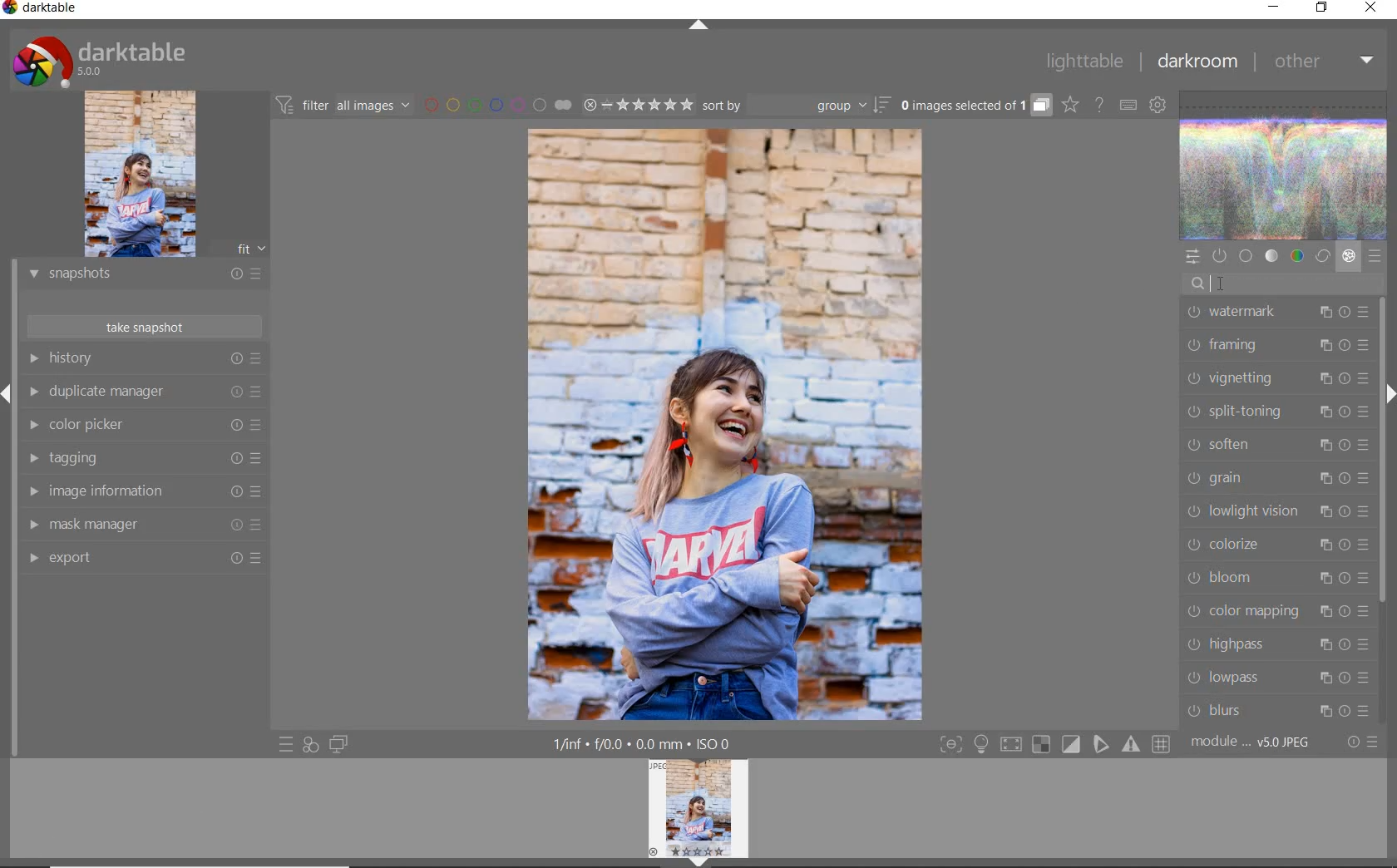  What do you see at coordinates (1322, 9) in the screenshot?
I see `restore` at bounding box center [1322, 9].